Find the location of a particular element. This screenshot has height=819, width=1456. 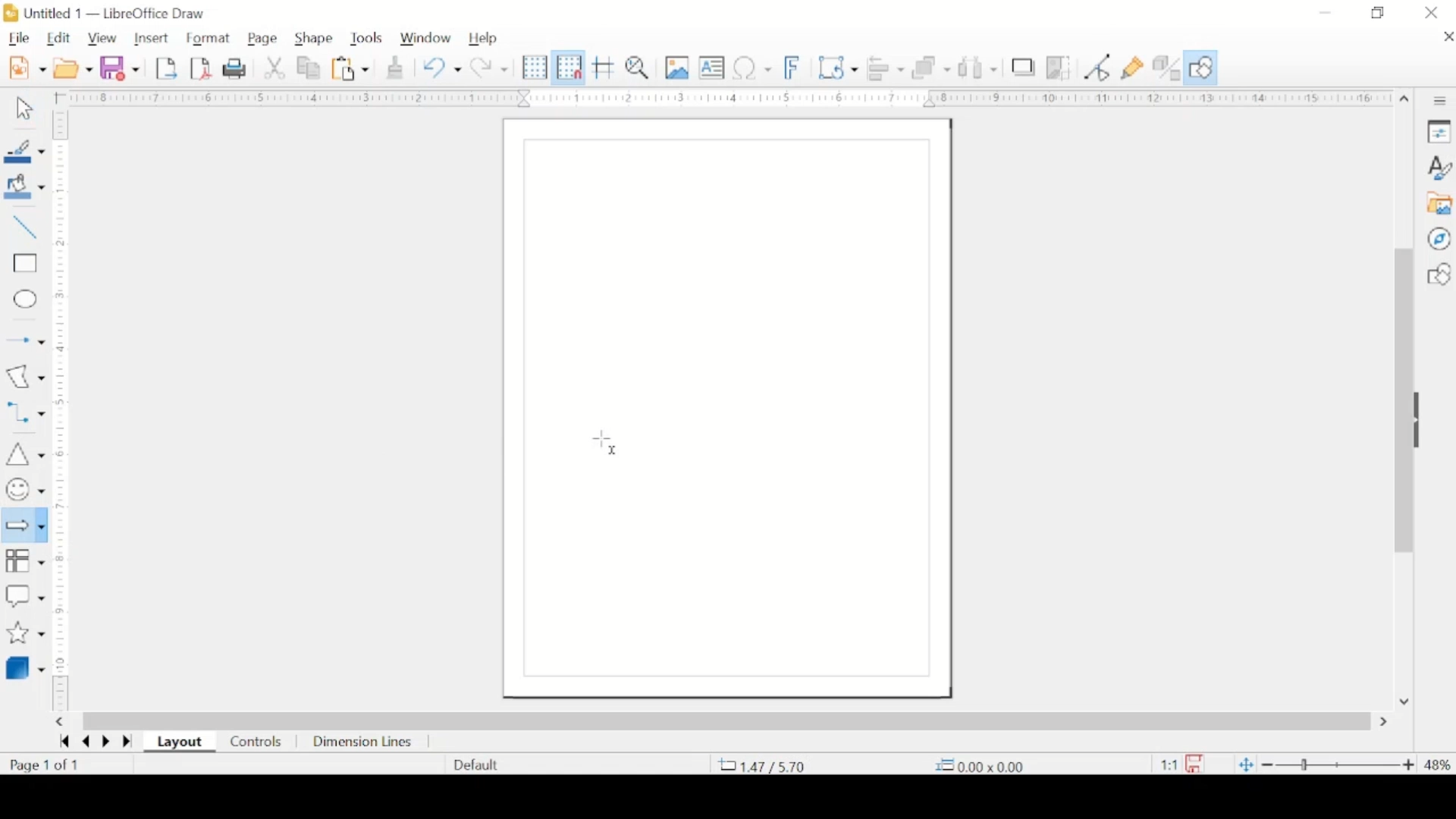

print is located at coordinates (237, 68).